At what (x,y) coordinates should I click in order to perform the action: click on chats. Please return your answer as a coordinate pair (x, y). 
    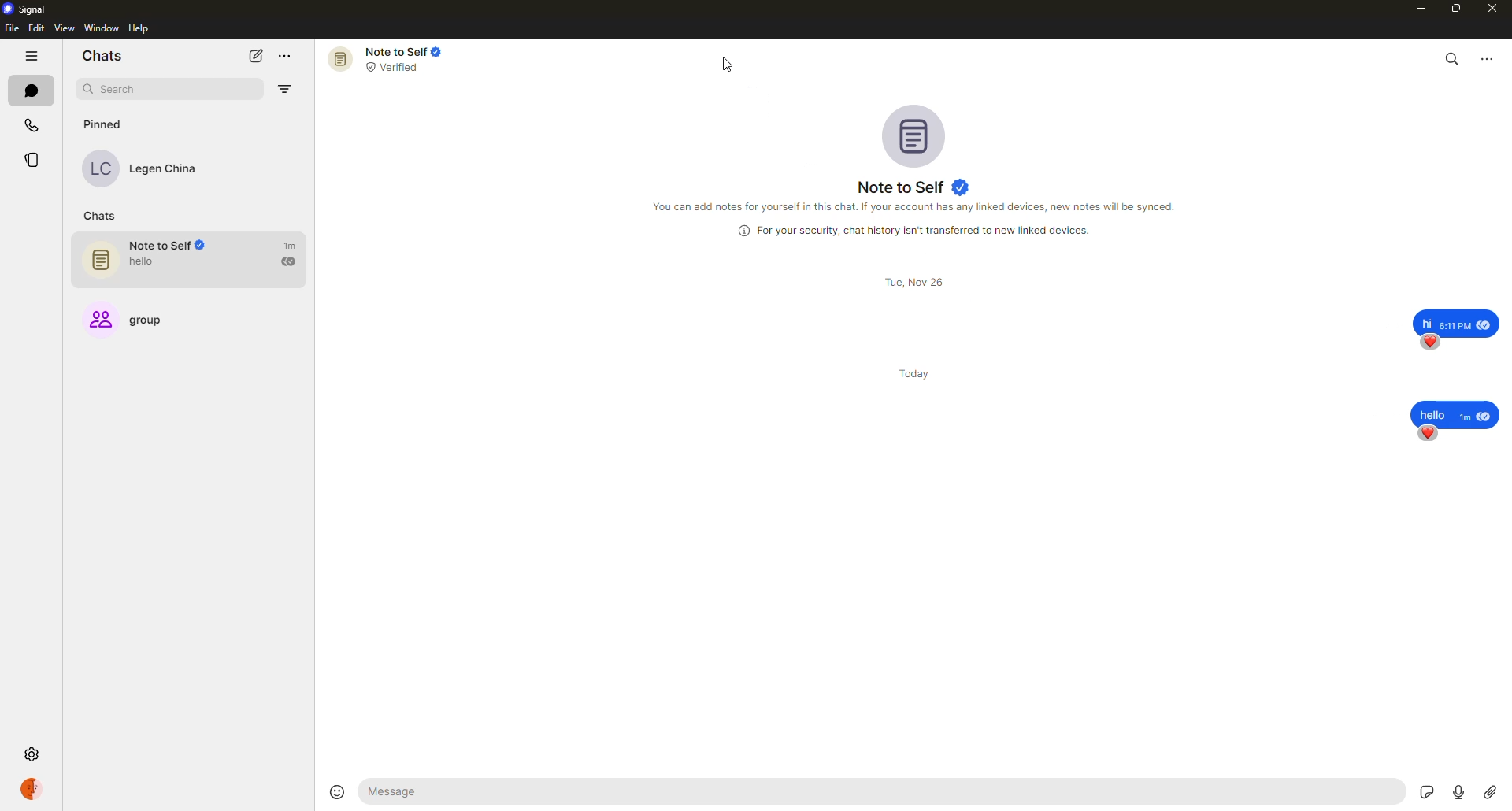
    Looking at the image, I should click on (104, 216).